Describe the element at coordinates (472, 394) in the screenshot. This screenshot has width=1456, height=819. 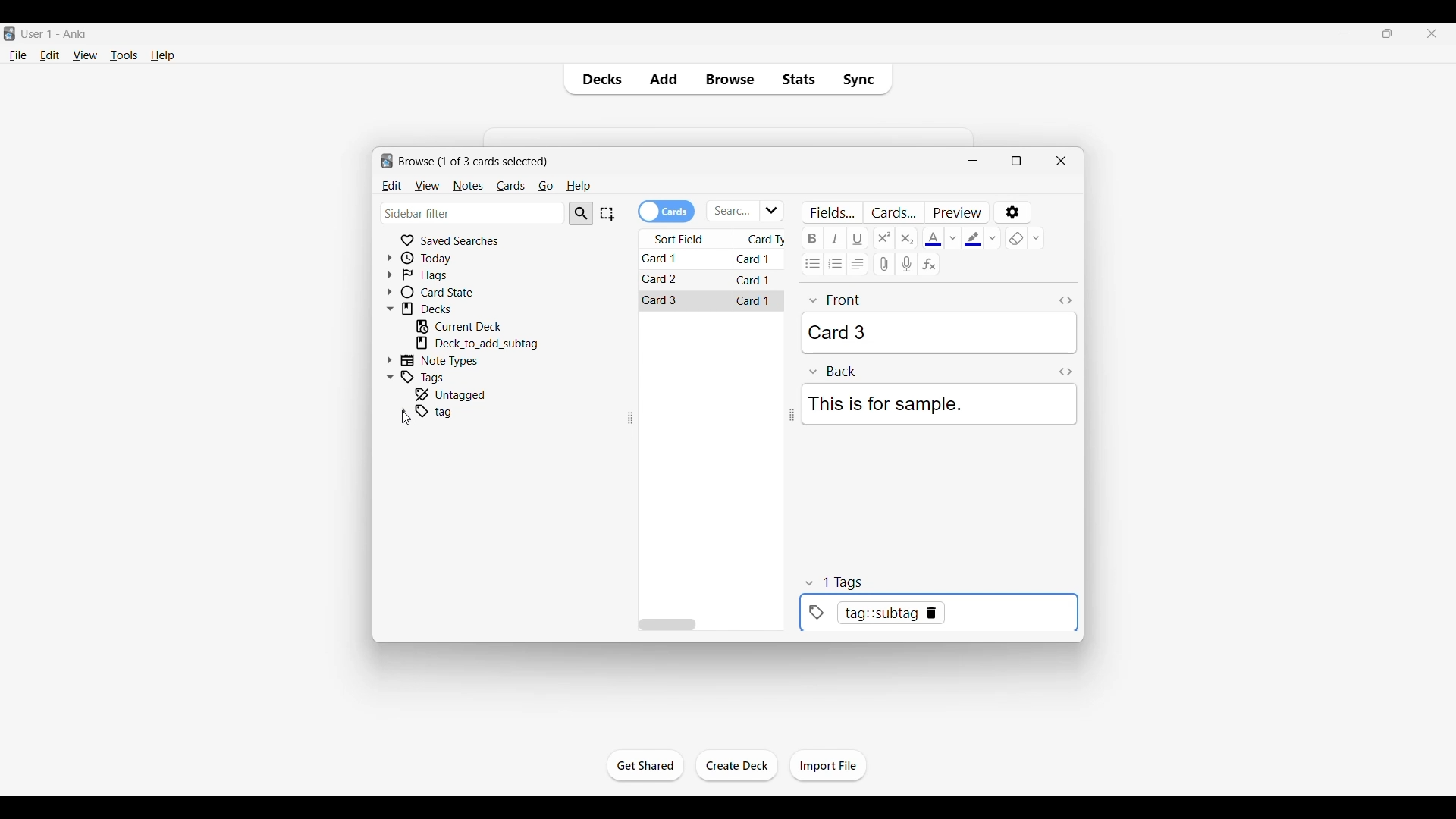
I see `Click to go to untagged` at that location.